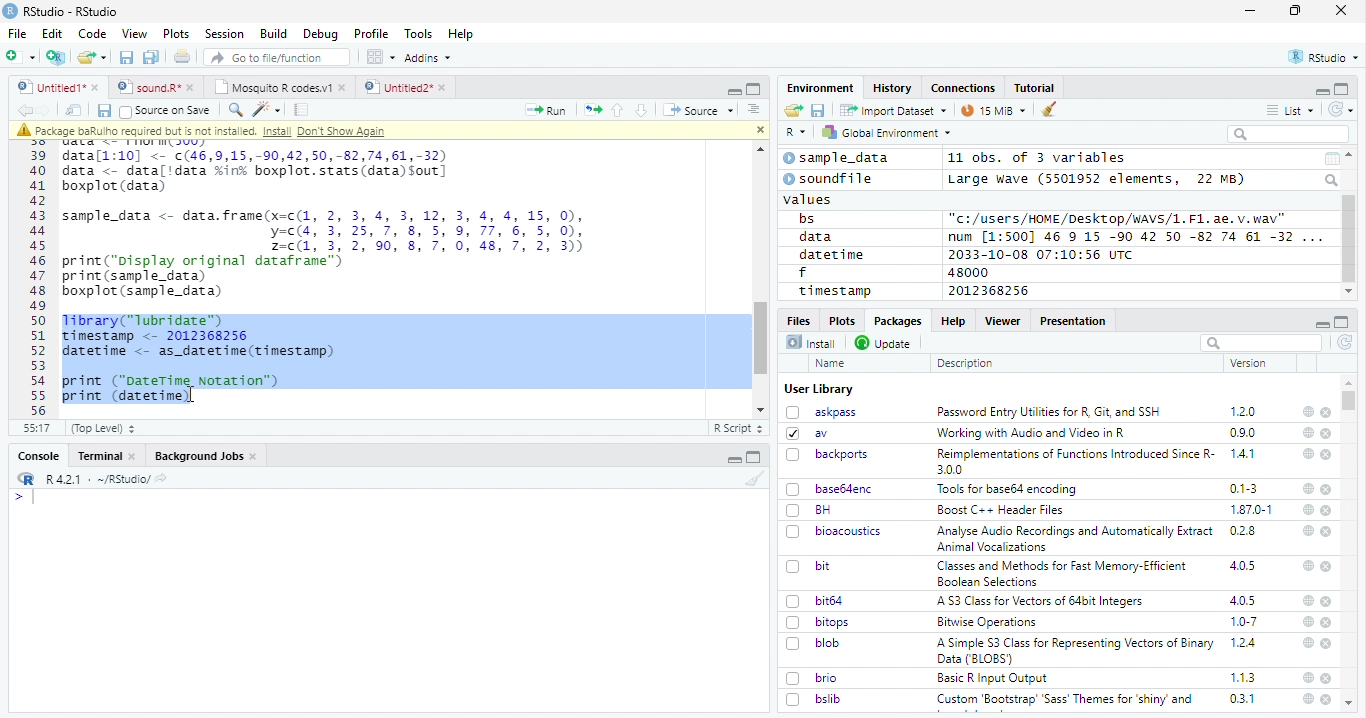 Image resolution: width=1366 pixels, height=718 pixels. Describe the element at coordinates (736, 457) in the screenshot. I see `minimize` at that location.